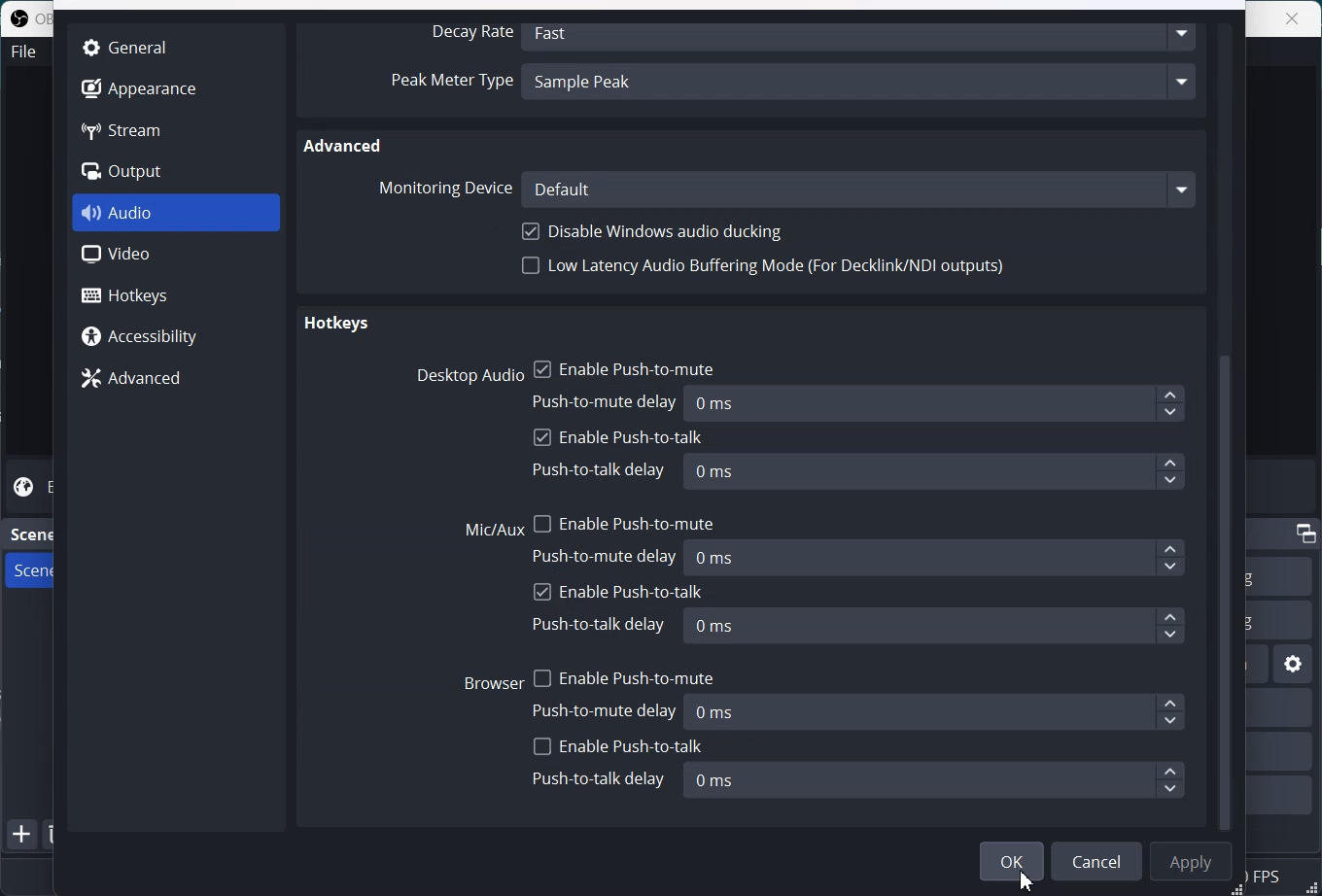 This screenshot has width=1322, height=896. Describe the element at coordinates (494, 681) in the screenshot. I see `Browser` at that location.